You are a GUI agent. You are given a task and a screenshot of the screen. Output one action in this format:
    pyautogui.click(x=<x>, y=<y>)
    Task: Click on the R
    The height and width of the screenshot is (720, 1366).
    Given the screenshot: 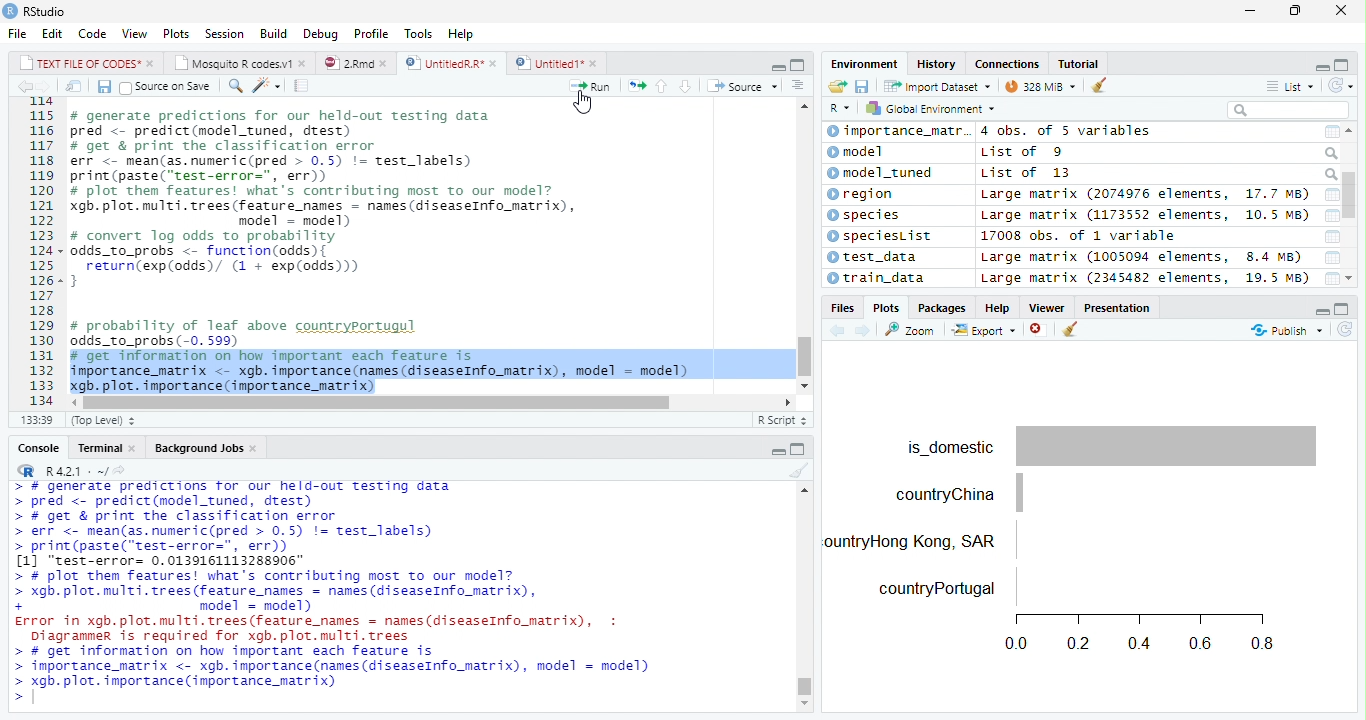 What is the action you would take?
    pyautogui.click(x=24, y=470)
    